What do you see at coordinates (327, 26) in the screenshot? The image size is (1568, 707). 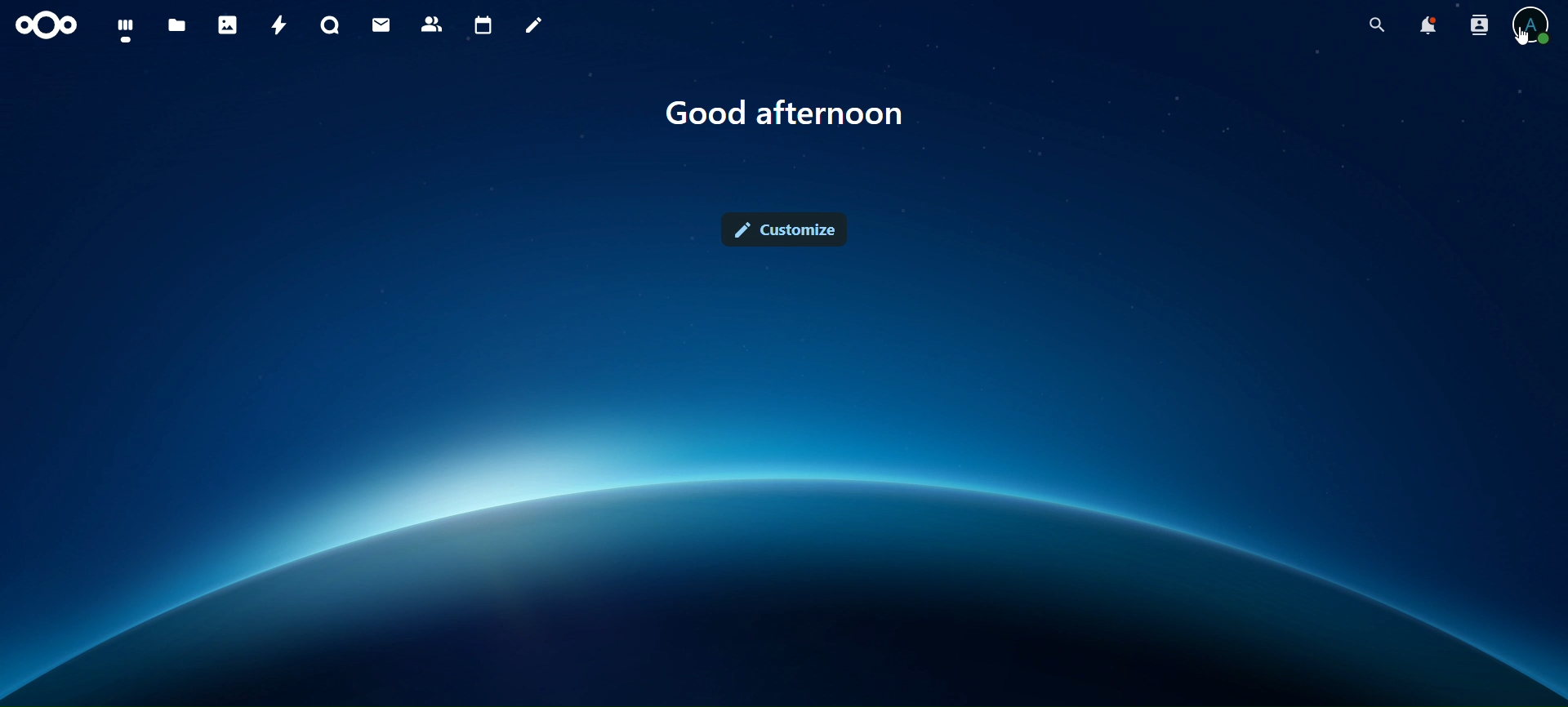 I see `talk` at bounding box center [327, 26].